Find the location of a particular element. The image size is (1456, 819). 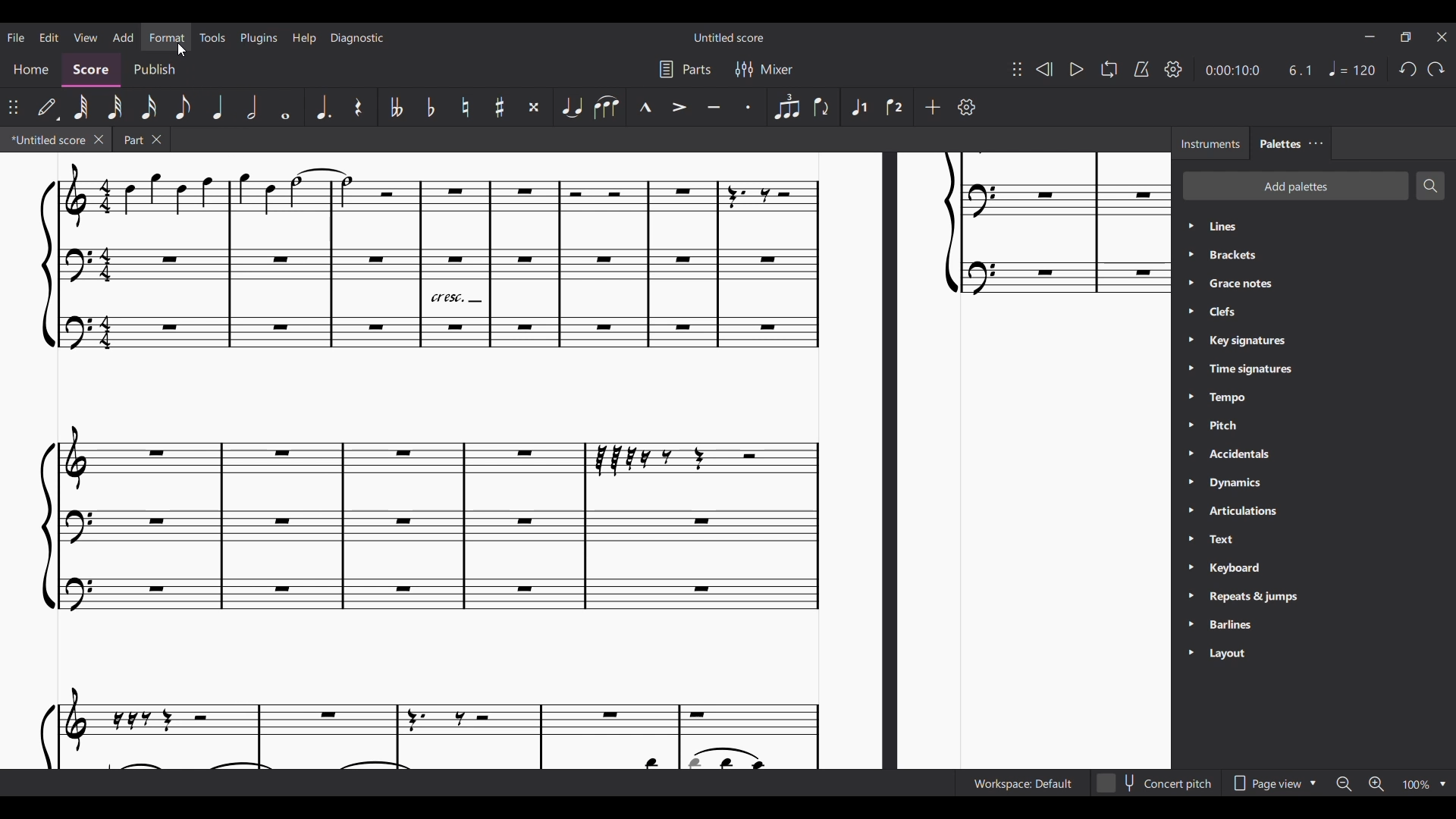

View menu is located at coordinates (85, 37).